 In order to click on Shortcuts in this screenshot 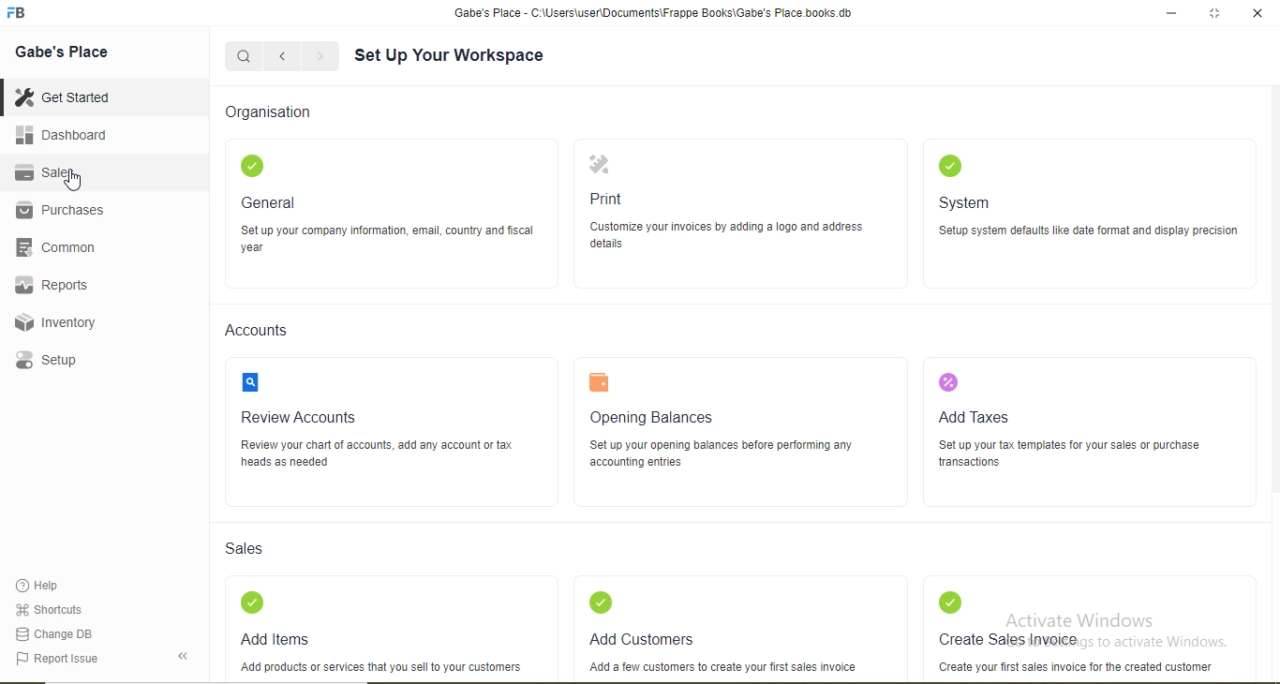, I will do `click(55, 610)`.